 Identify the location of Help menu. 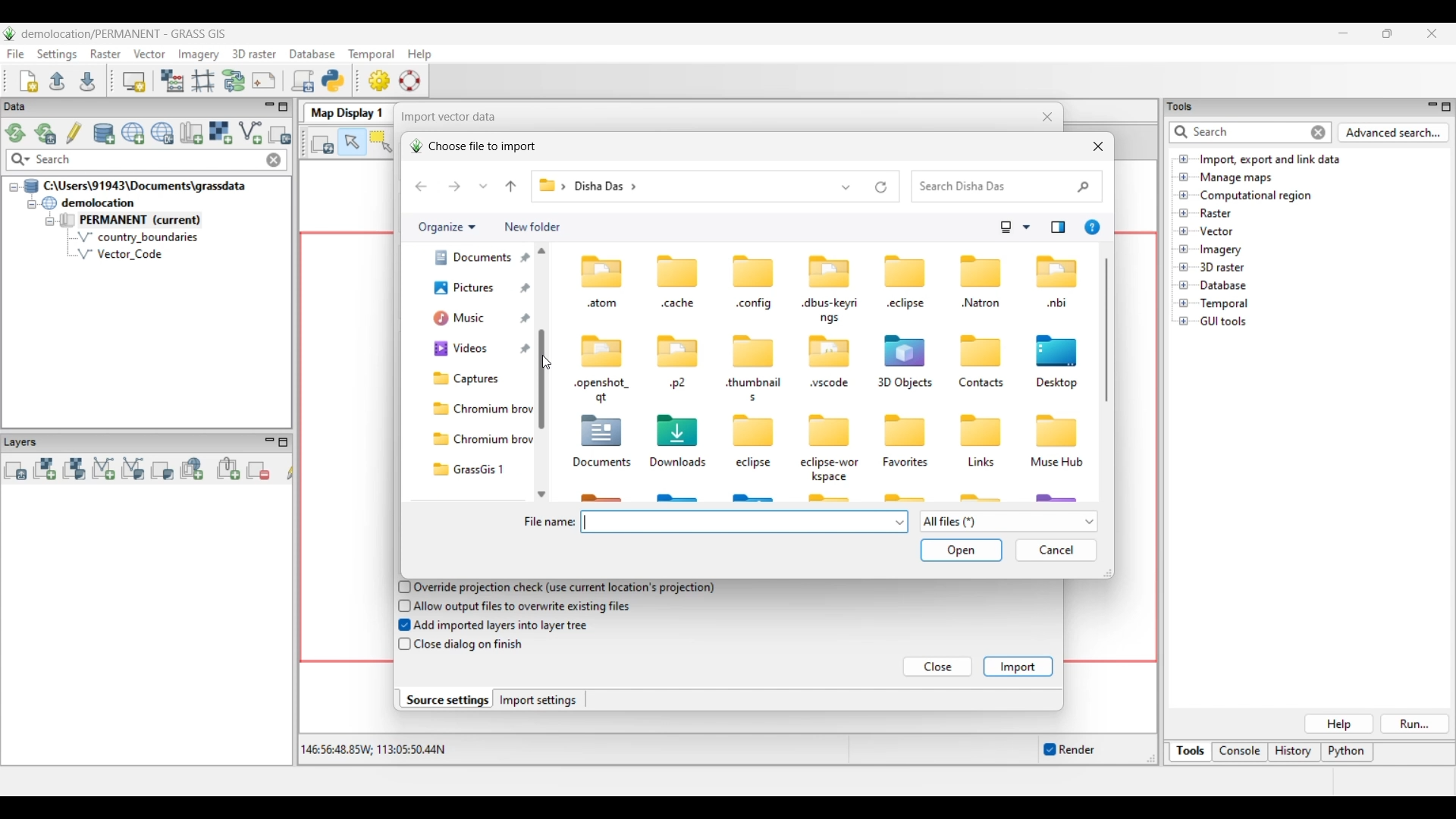
(419, 54).